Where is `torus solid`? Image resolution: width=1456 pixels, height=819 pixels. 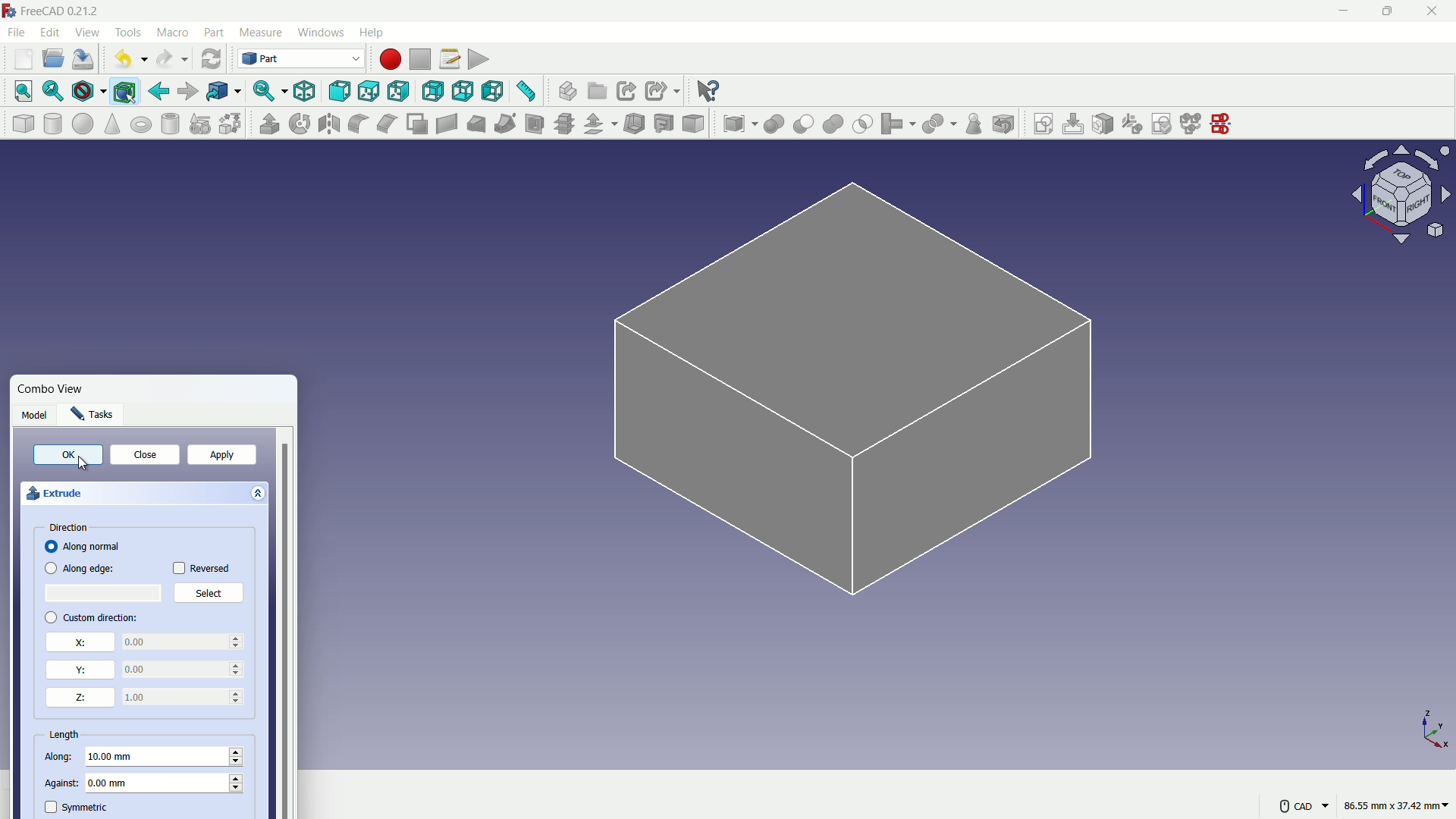
torus solid is located at coordinates (142, 125).